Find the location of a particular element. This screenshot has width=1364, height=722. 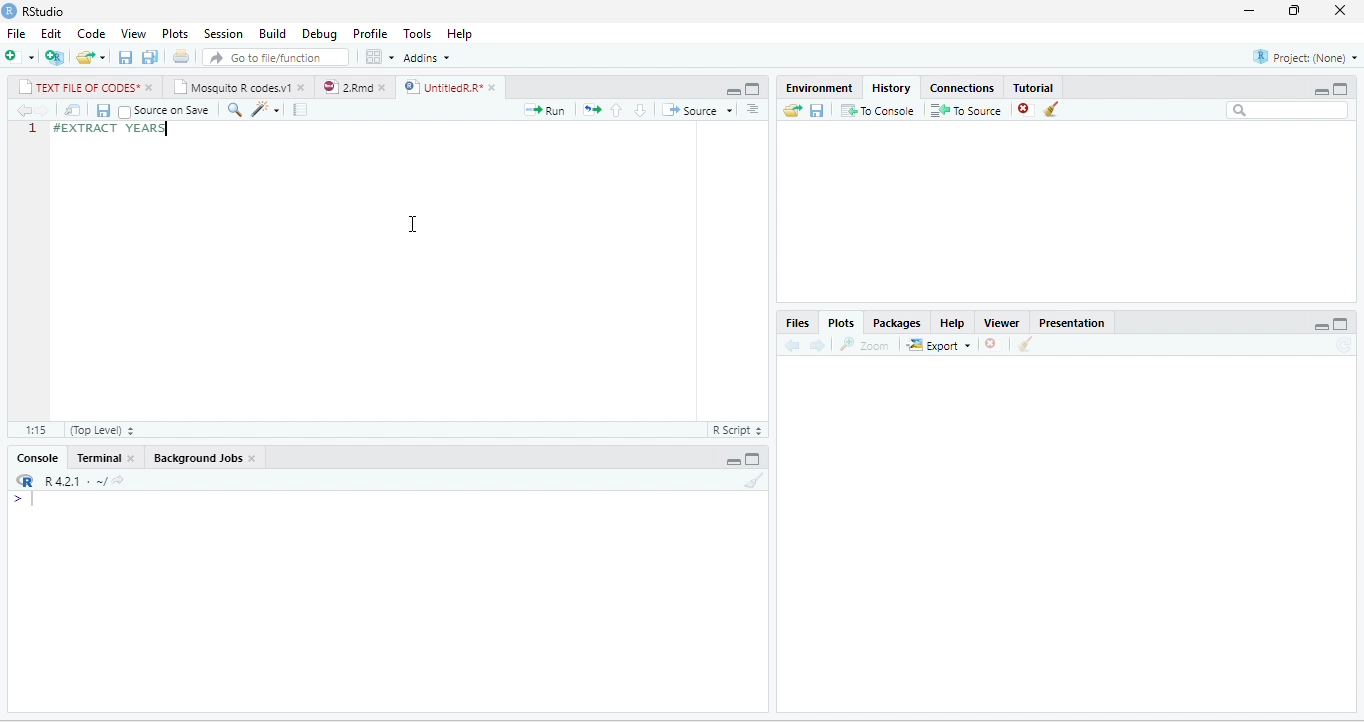

code tools is located at coordinates (265, 109).